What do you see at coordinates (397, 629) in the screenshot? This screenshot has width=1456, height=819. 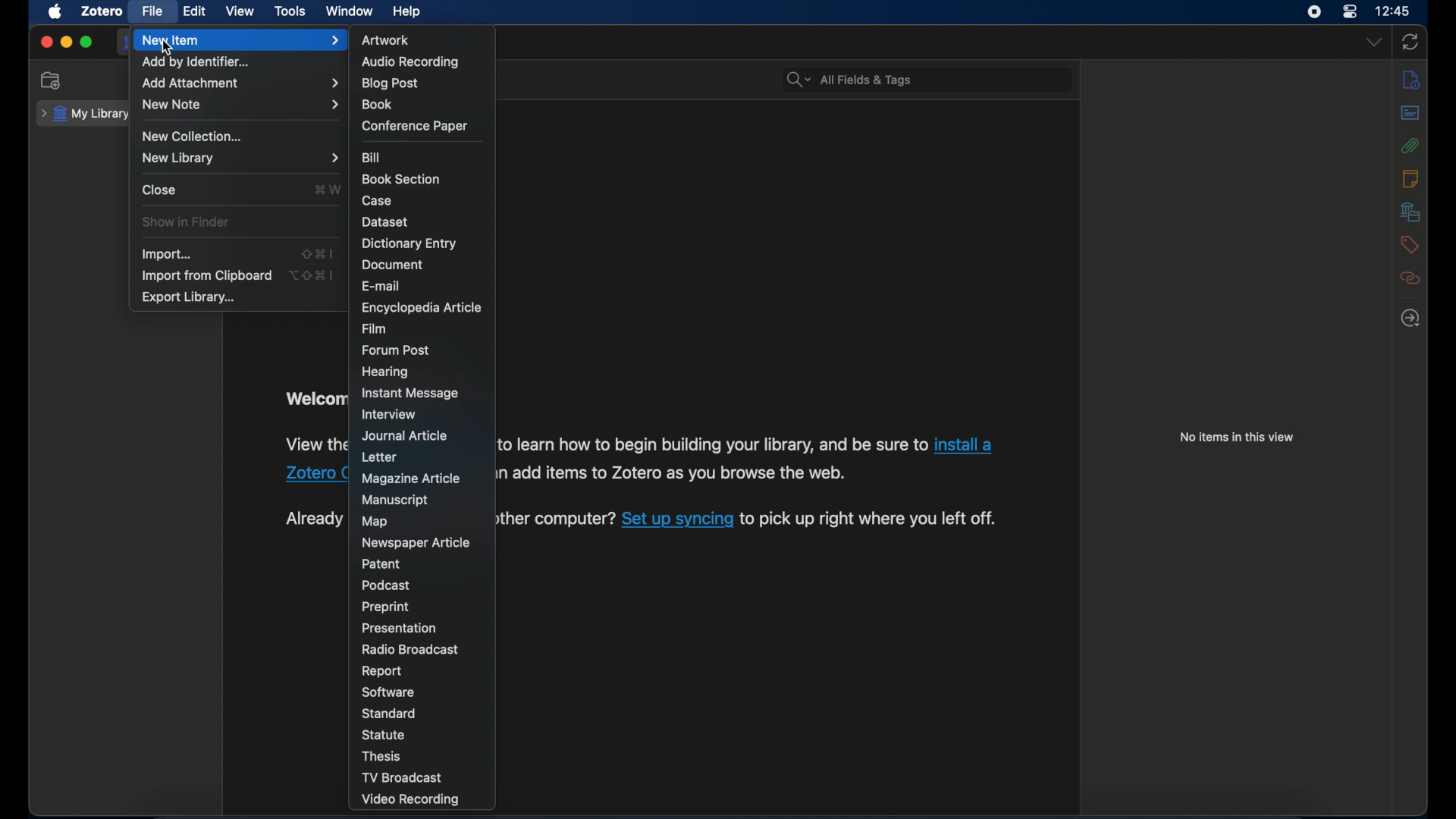 I see `presentation` at bounding box center [397, 629].